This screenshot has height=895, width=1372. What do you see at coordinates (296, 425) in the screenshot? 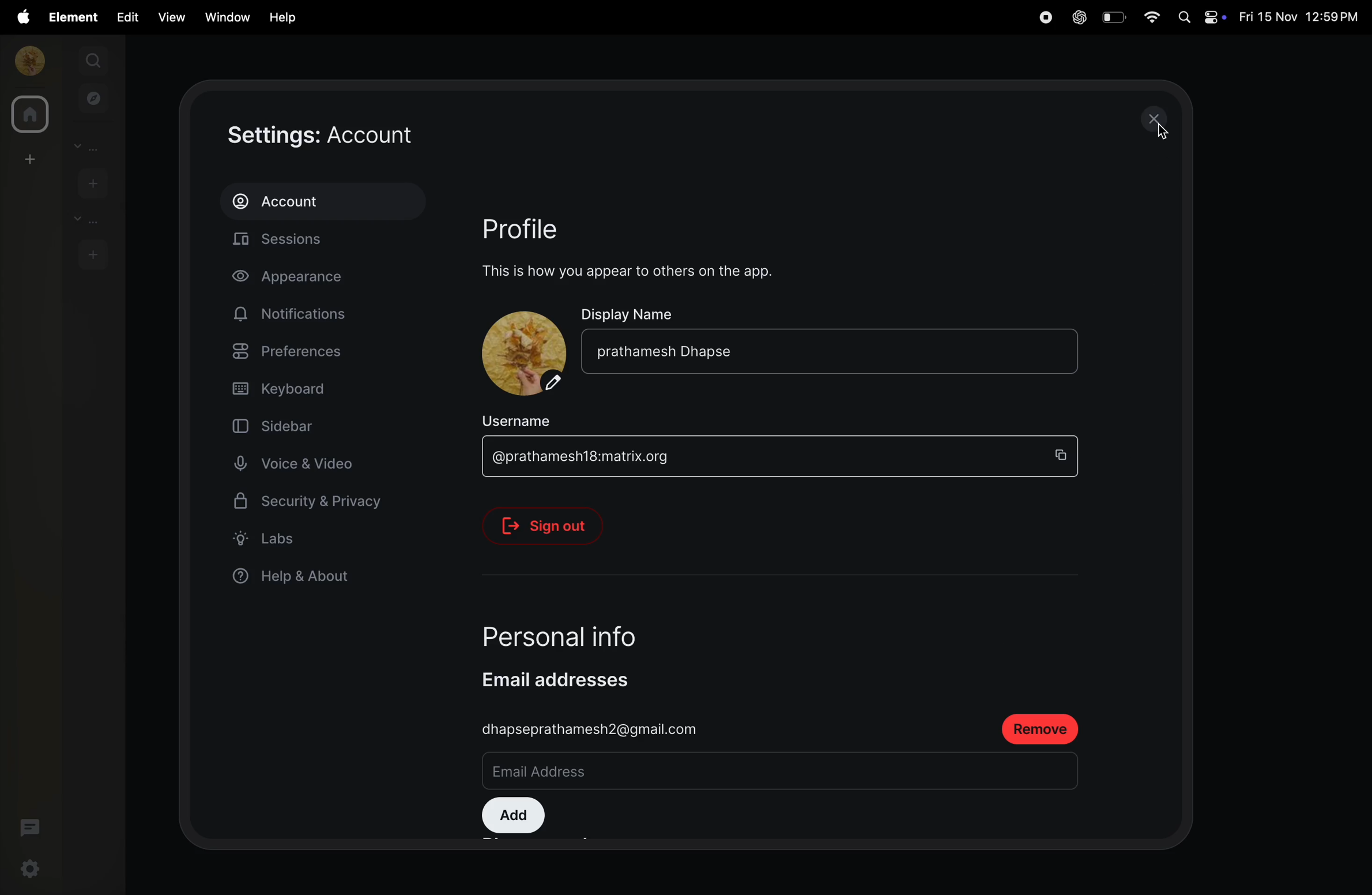
I see `sidebar` at bounding box center [296, 425].